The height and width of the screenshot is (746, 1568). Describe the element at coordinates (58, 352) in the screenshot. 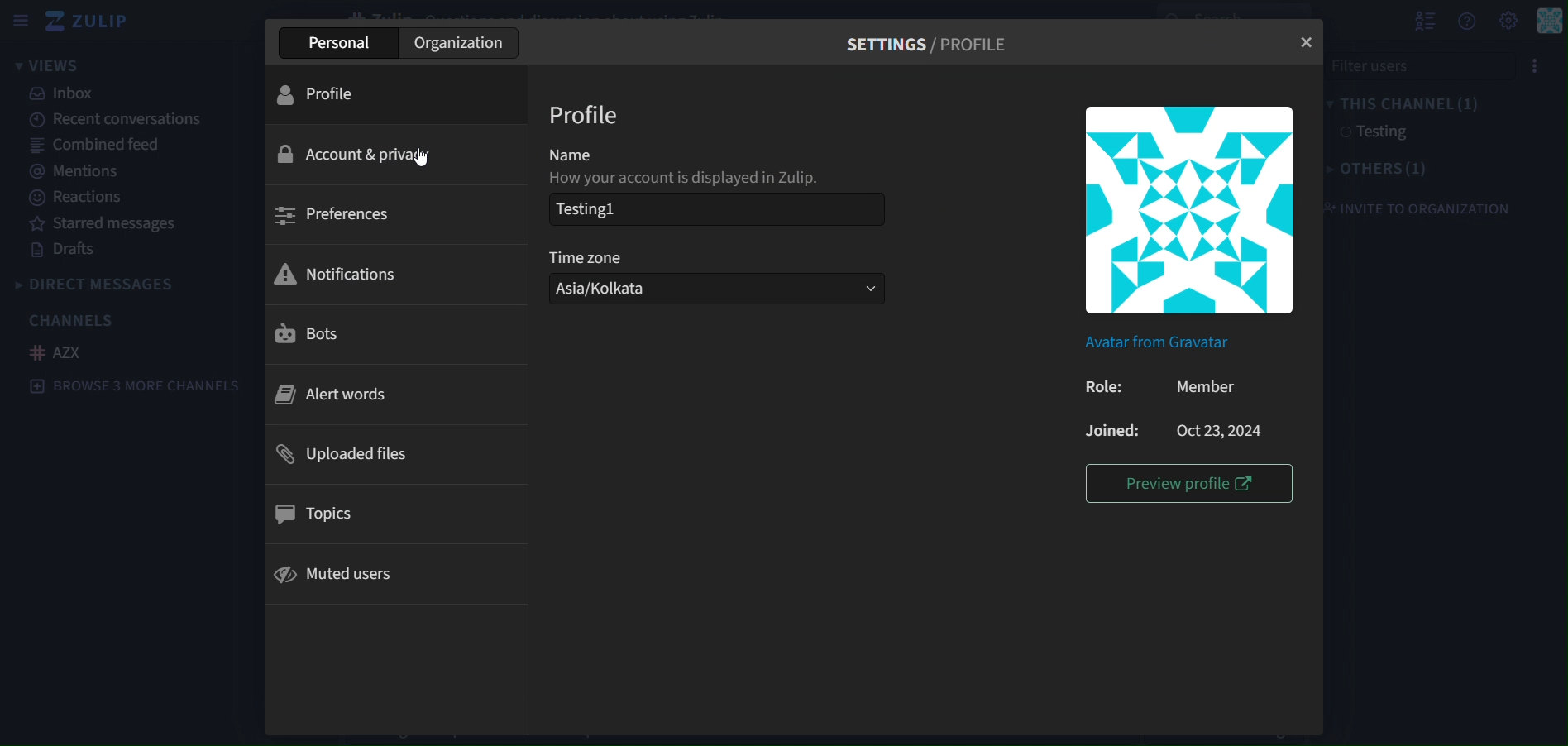

I see `AZX` at that location.